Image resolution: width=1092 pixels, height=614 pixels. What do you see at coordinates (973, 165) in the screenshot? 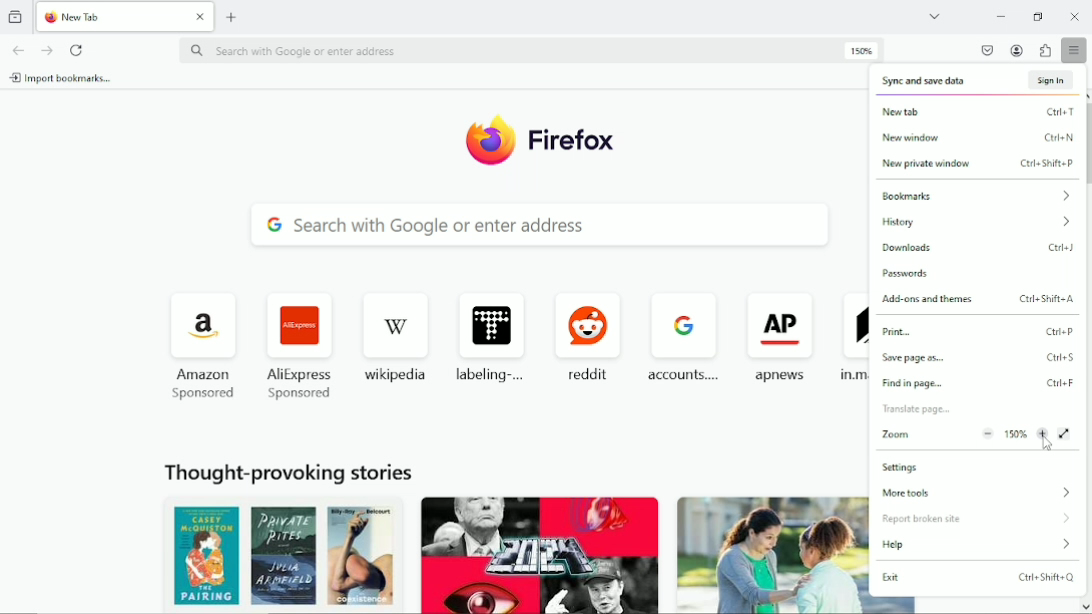
I see `new private window` at bounding box center [973, 165].